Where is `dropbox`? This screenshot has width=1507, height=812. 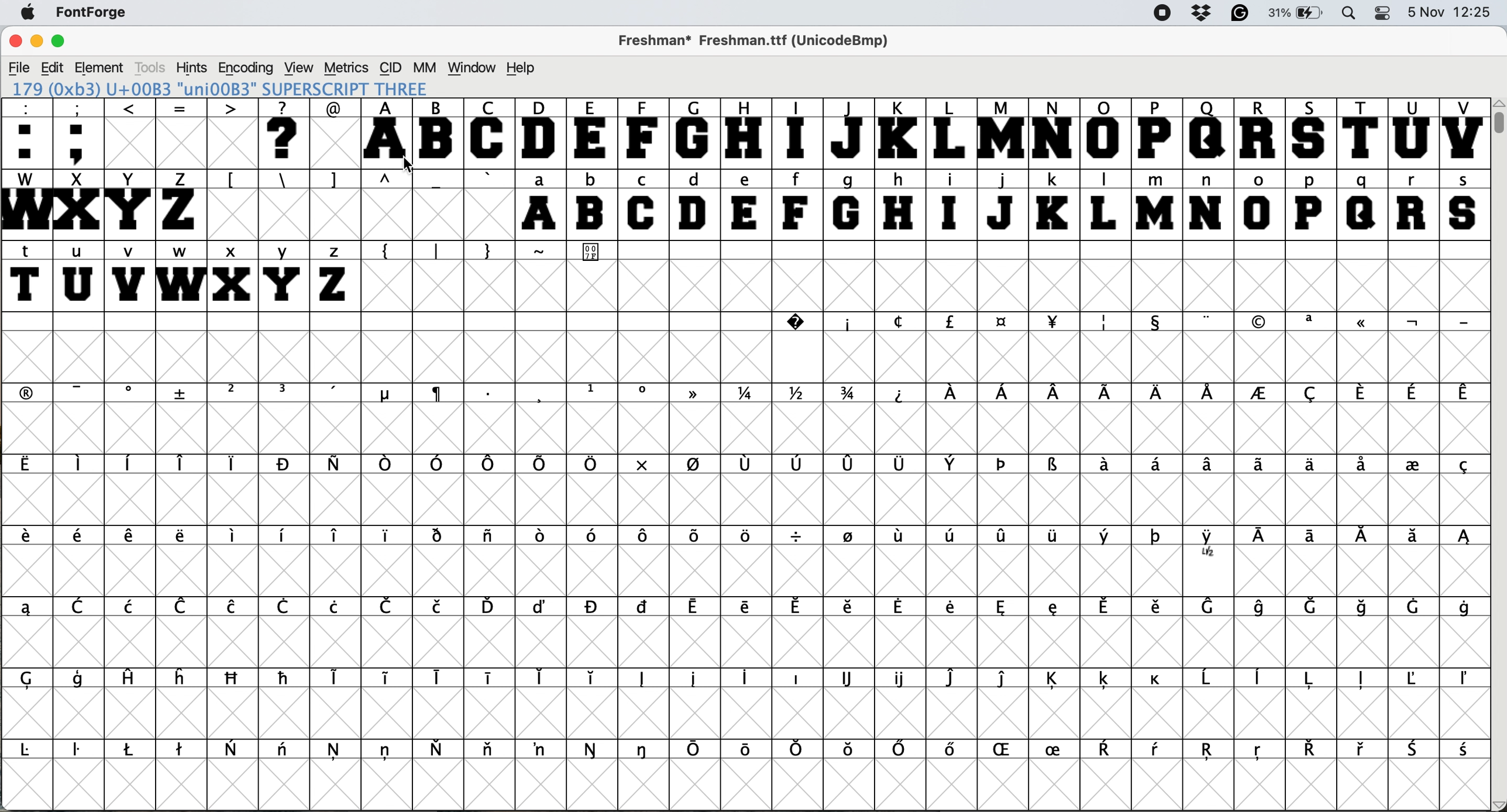 dropbox is located at coordinates (1199, 13).